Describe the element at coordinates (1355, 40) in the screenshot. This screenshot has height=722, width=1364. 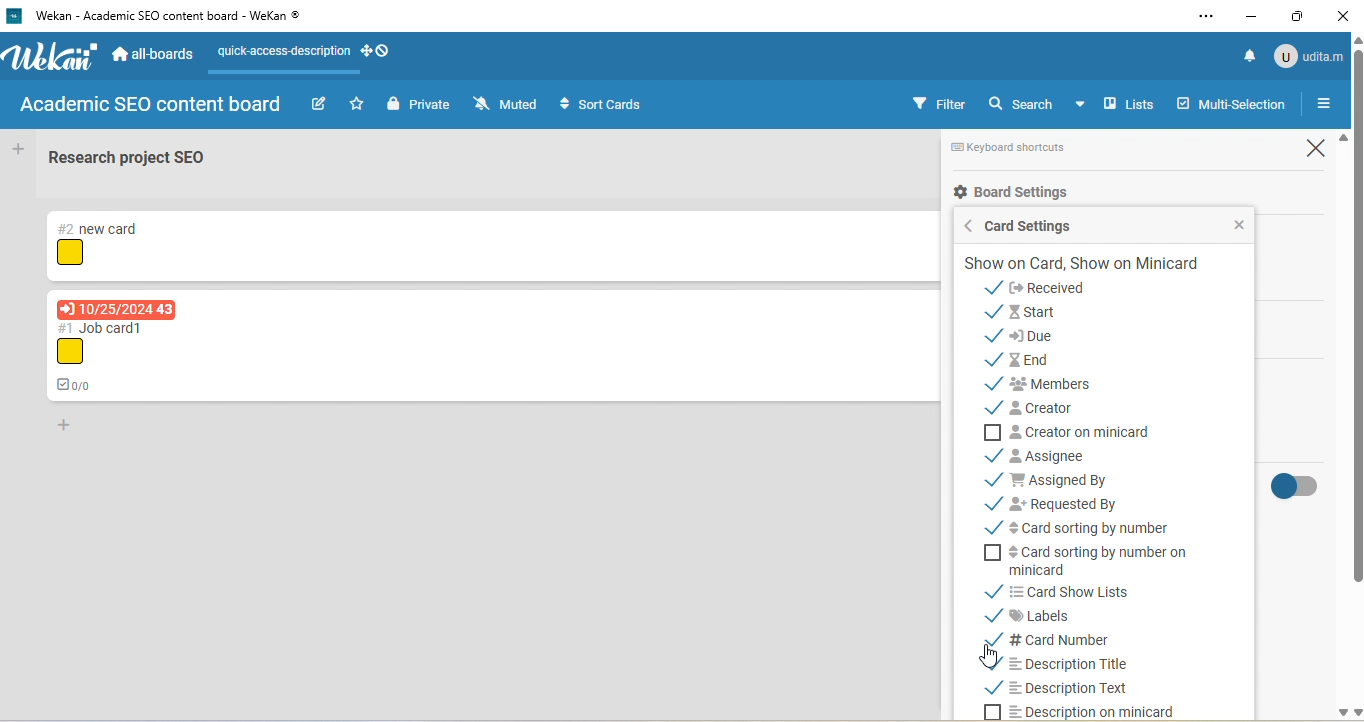
I see `scroll up` at that location.